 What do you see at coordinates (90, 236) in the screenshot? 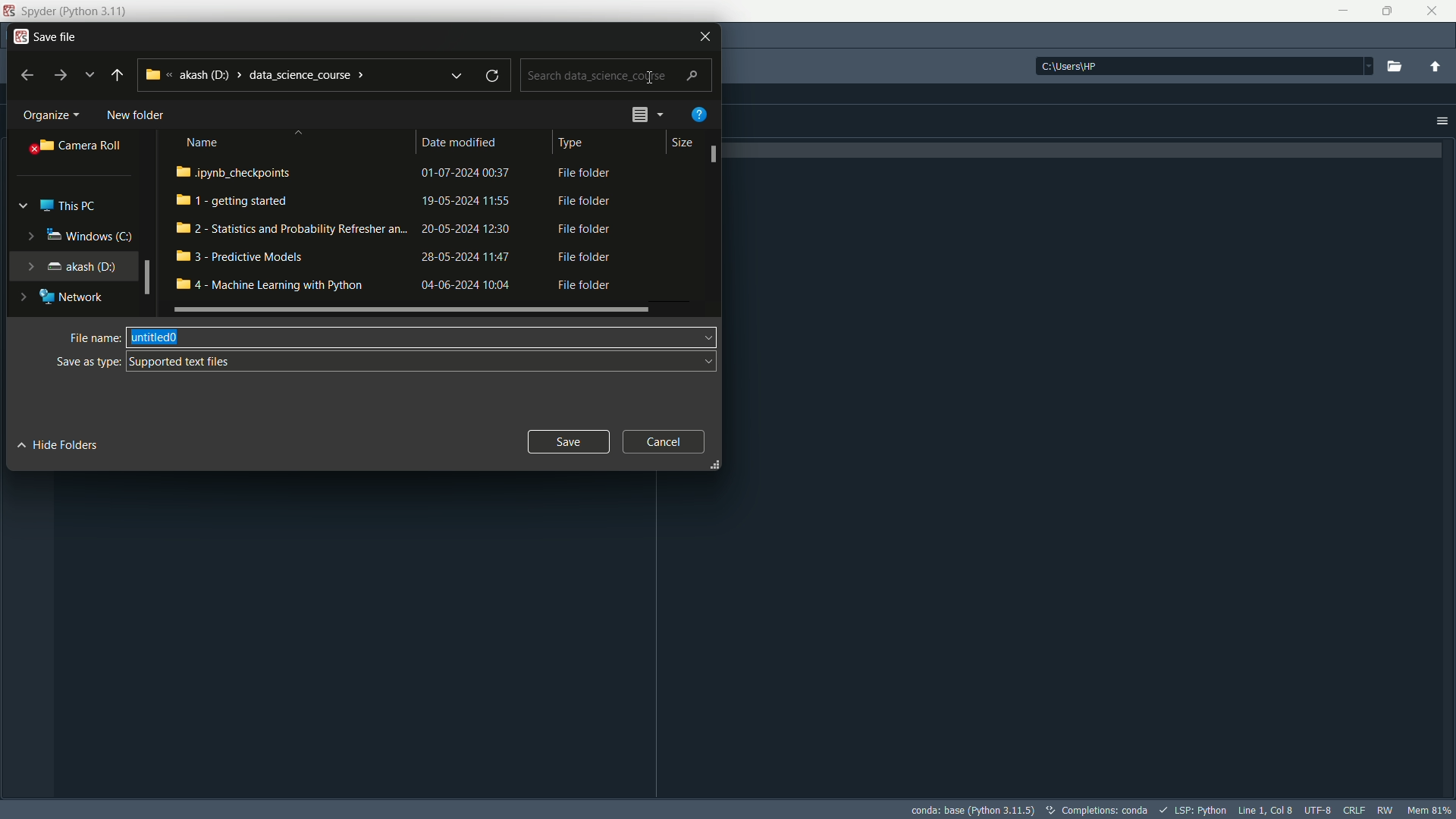
I see `Windows c:` at bounding box center [90, 236].